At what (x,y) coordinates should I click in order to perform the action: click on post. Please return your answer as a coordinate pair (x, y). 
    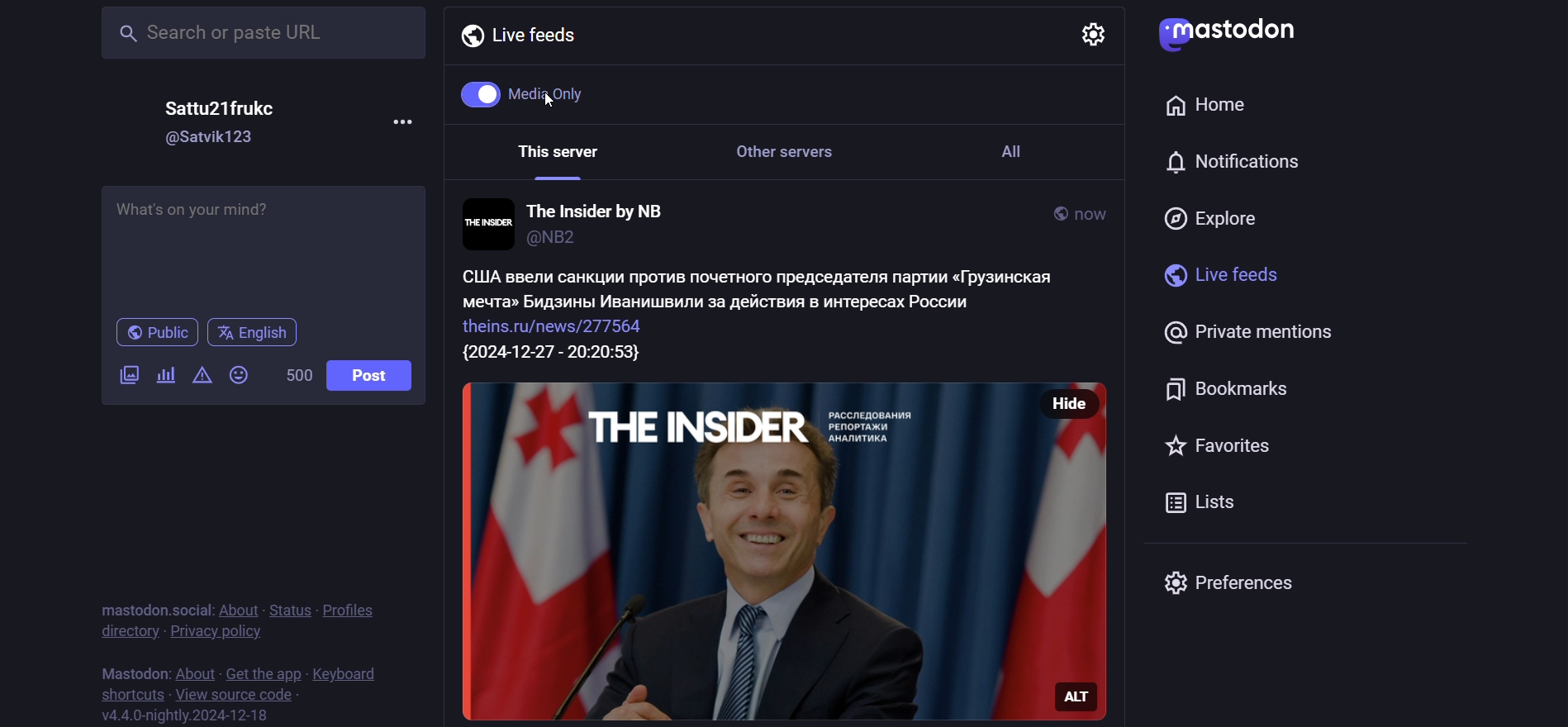
    Looking at the image, I should click on (380, 378).